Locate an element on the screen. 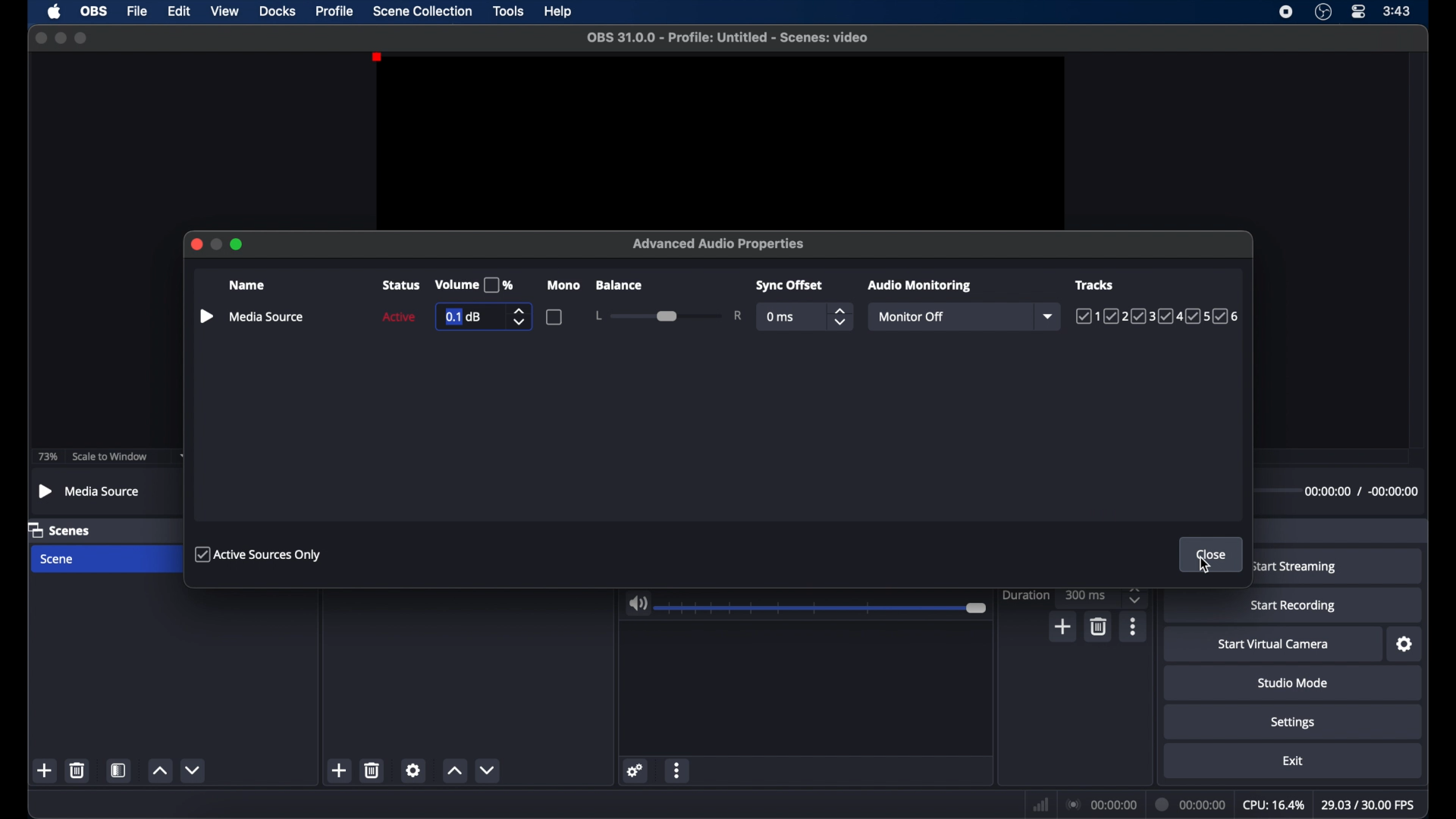 Image resolution: width=1456 pixels, height=819 pixels. scenes is located at coordinates (59, 529).